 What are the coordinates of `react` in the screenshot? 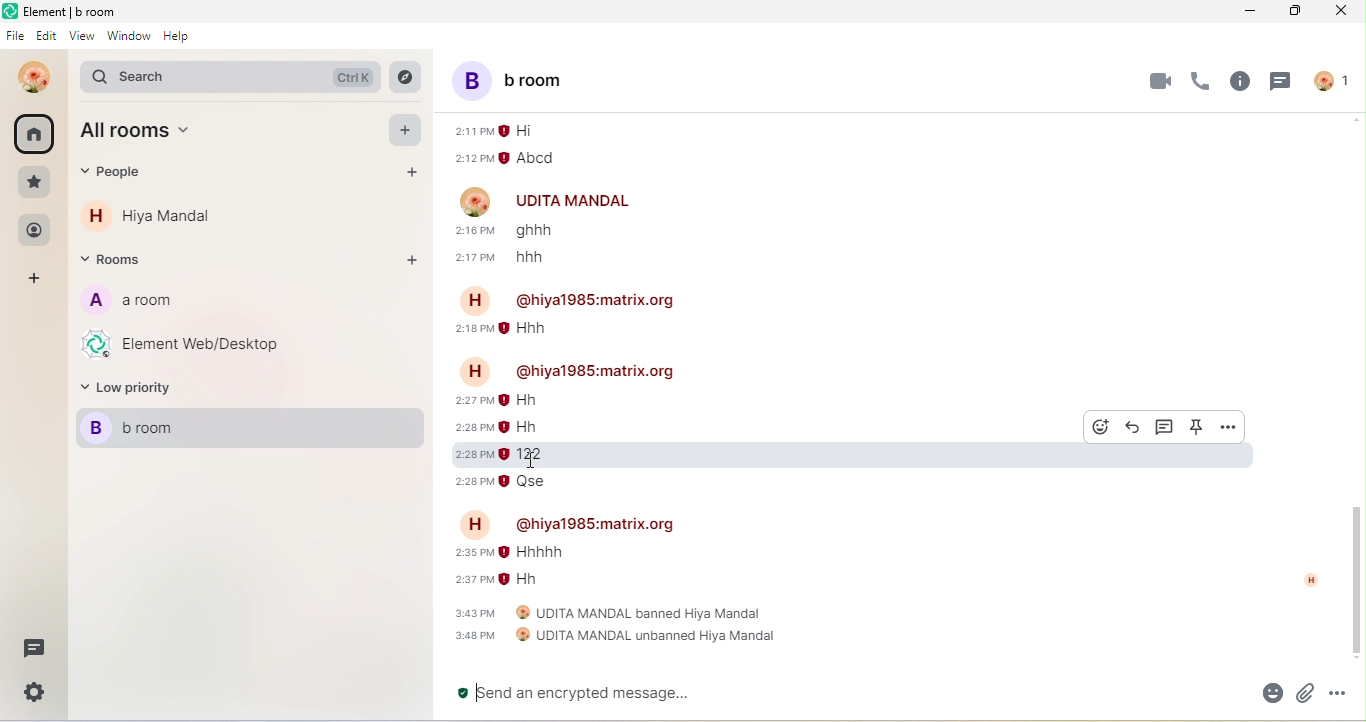 It's located at (1102, 425).